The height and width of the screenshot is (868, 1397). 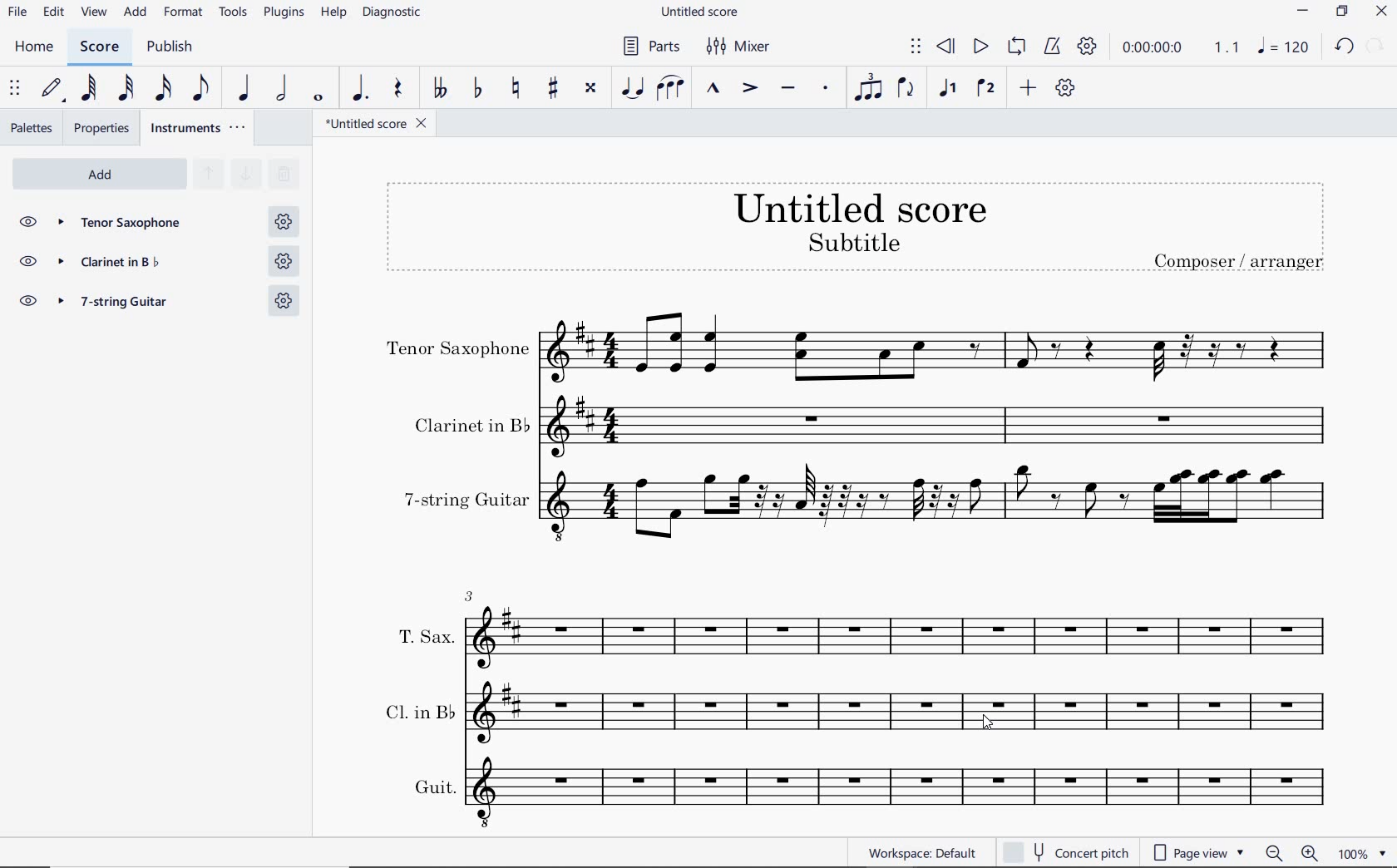 What do you see at coordinates (136, 13) in the screenshot?
I see `ADD` at bounding box center [136, 13].